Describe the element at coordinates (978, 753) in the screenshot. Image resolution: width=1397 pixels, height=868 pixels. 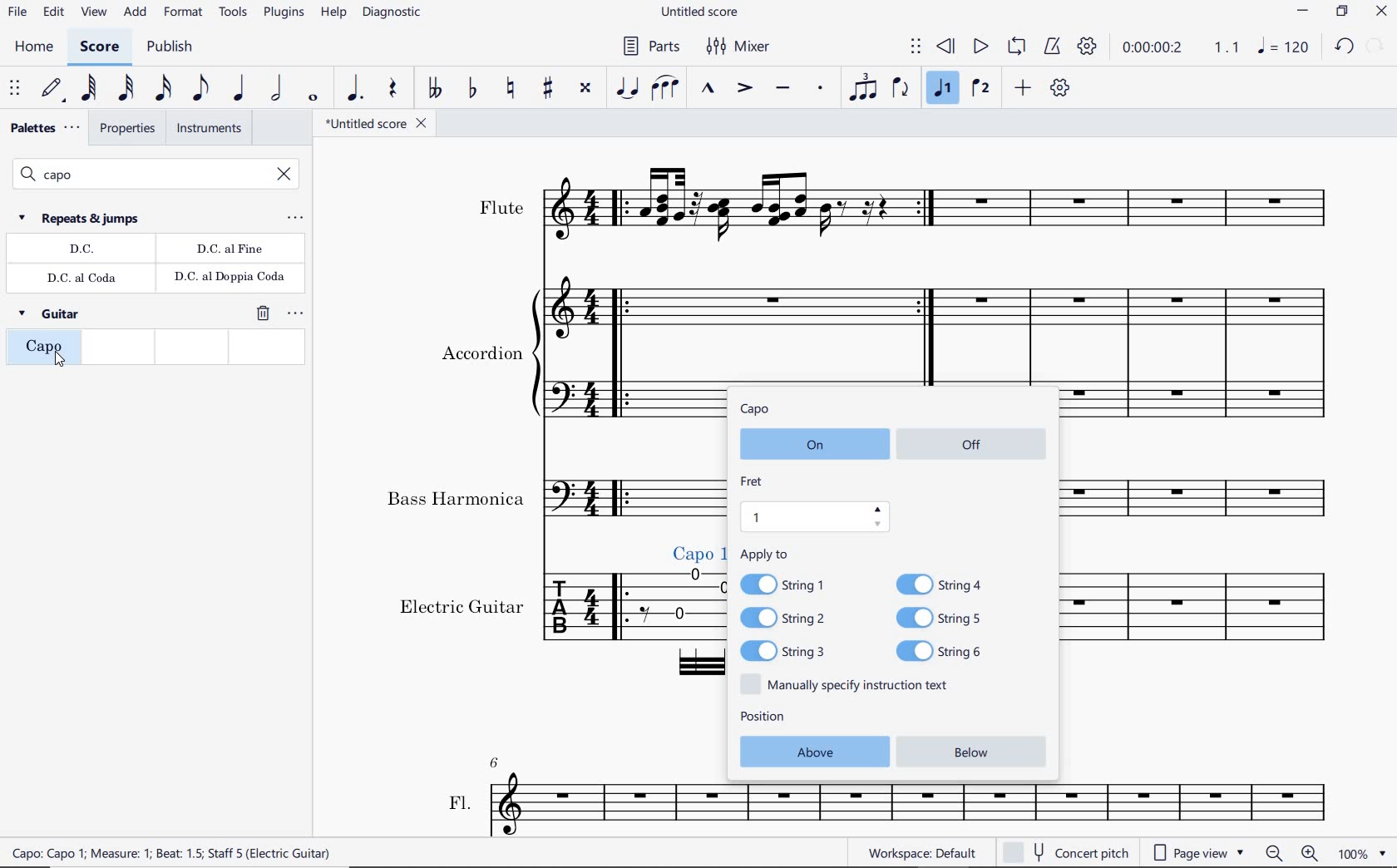
I see `below` at that location.